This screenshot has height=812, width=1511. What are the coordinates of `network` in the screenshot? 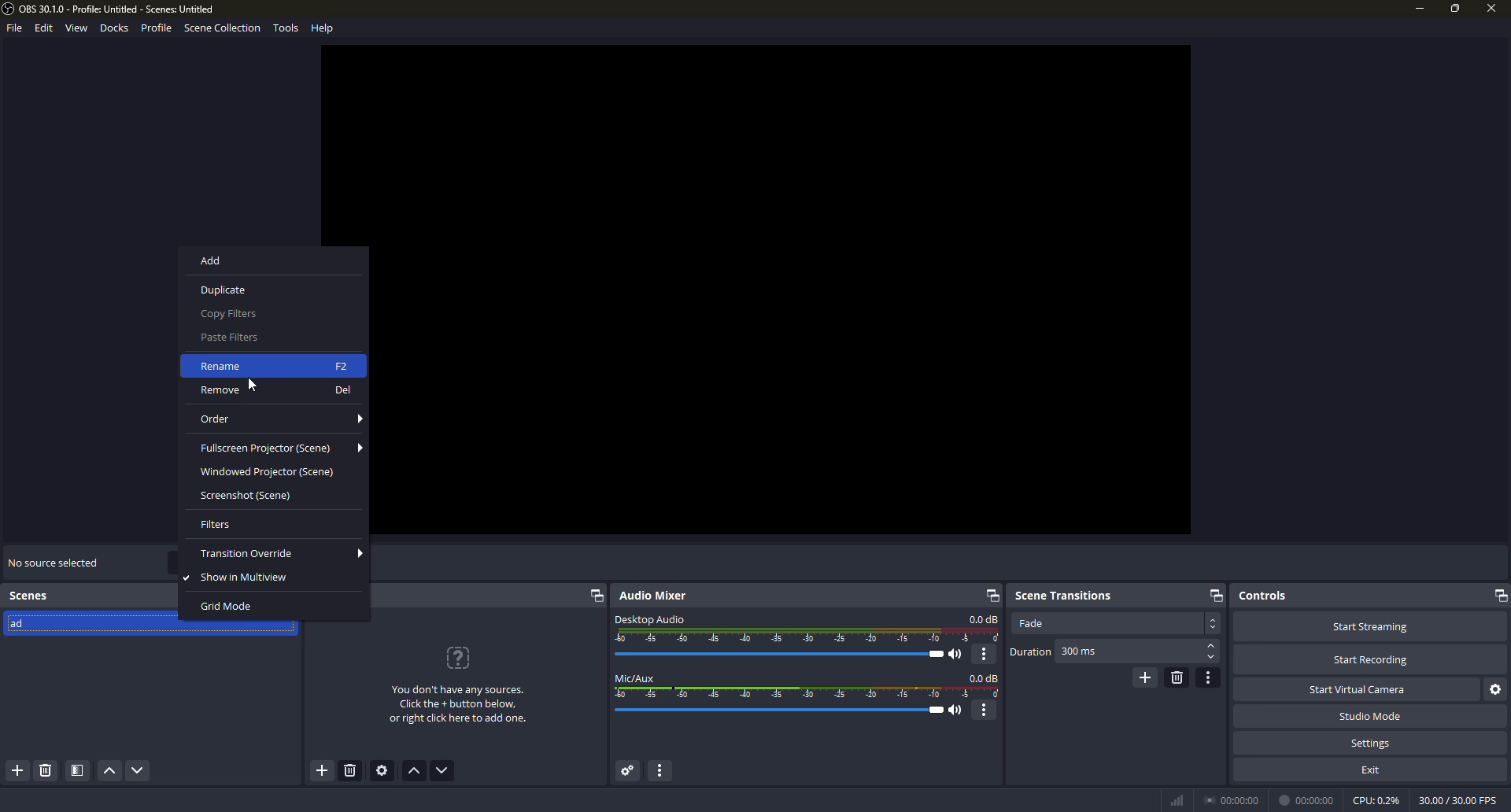 It's located at (1176, 799).